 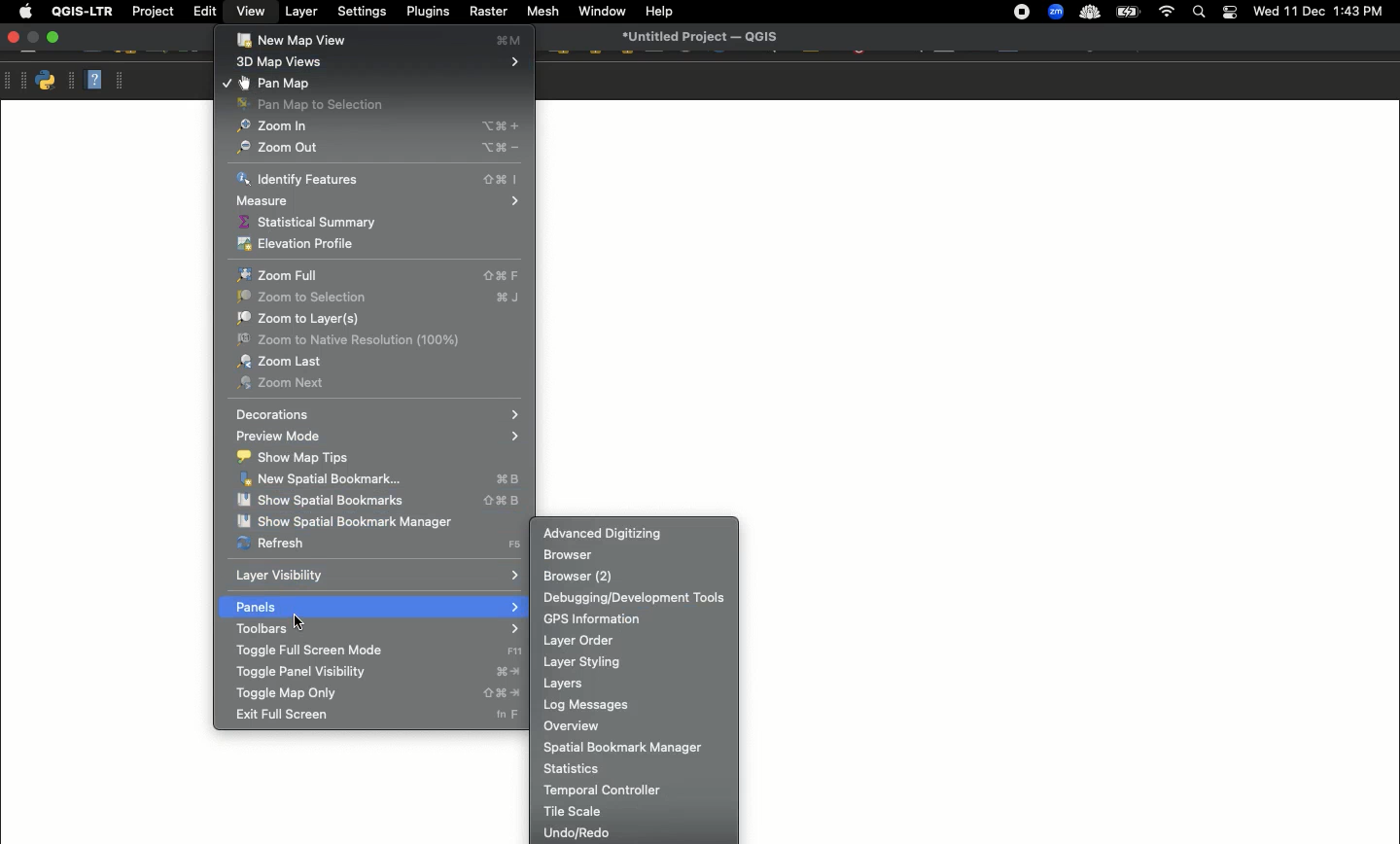 I want to click on Browser (2) , so click(x=633, y=576).